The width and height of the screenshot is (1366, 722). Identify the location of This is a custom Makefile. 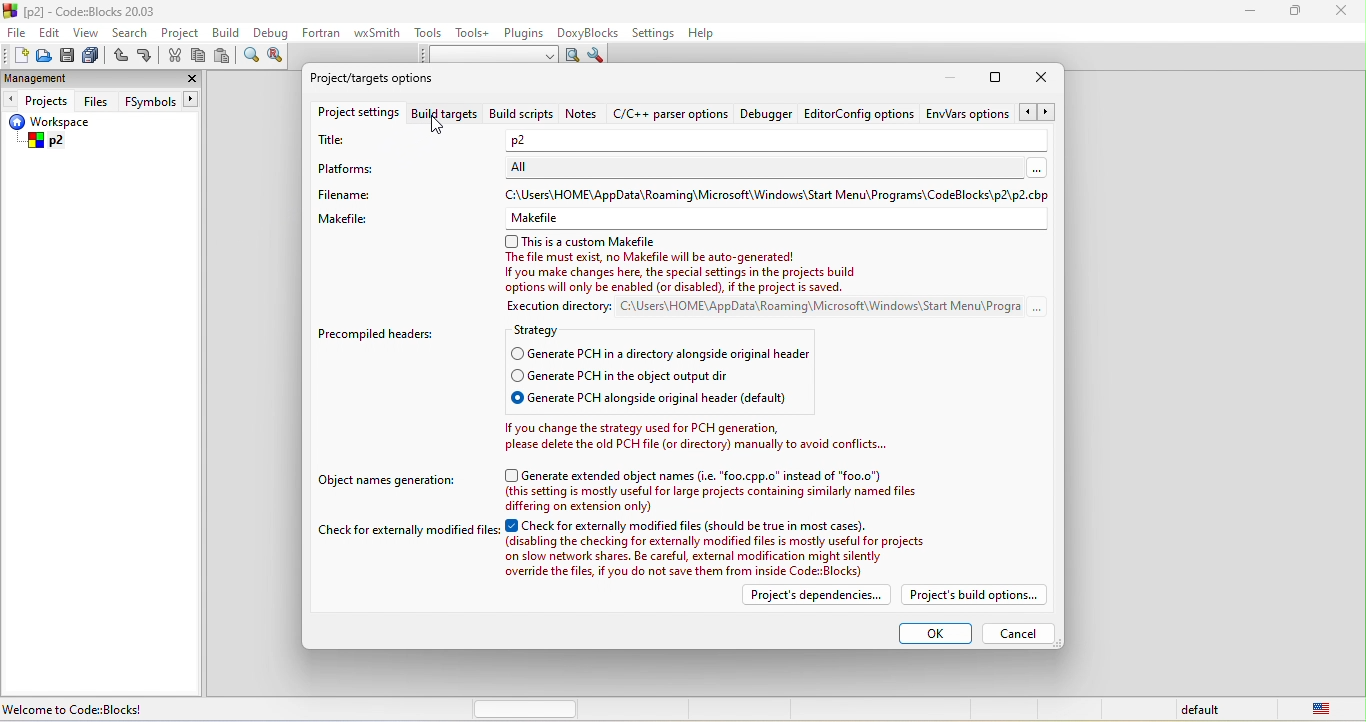
(583, 239).